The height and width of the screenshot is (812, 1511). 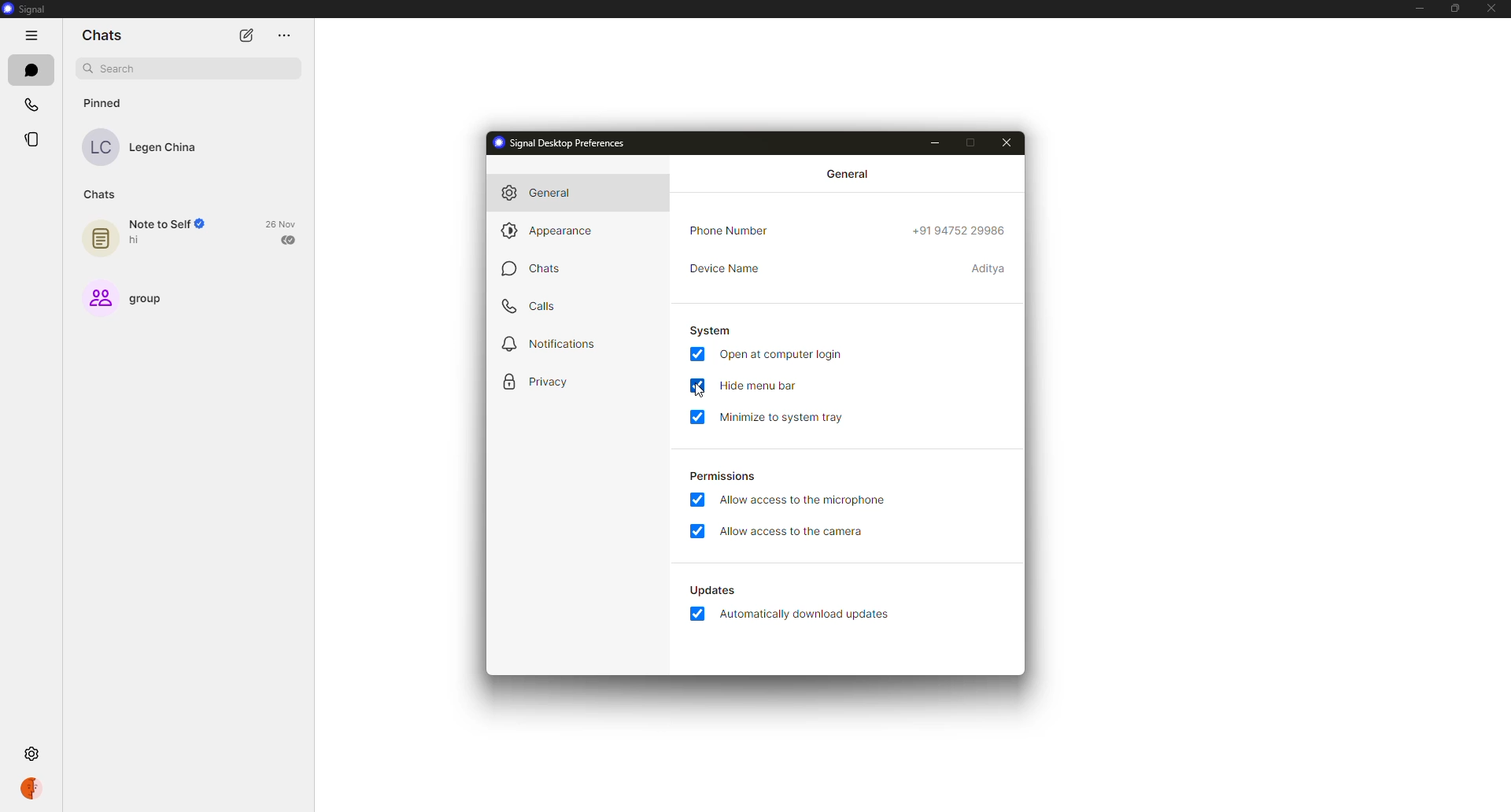 What do you see at coordinates (1008, 144) in the screenshot?
I see `close` at bounding box center [1008, 144].